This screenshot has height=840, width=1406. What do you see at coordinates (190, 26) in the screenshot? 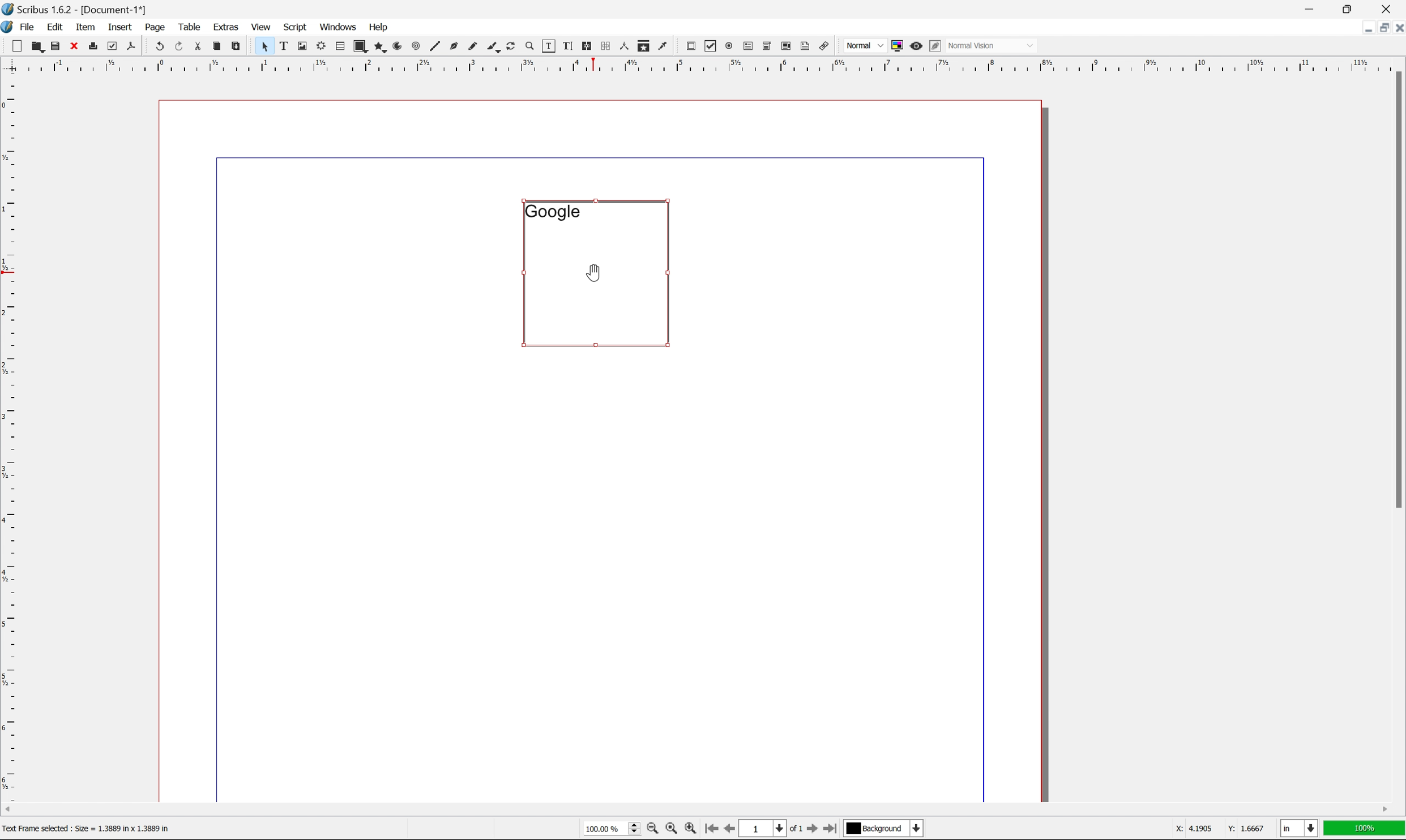
I see `table` at bounding box center [190, 26].